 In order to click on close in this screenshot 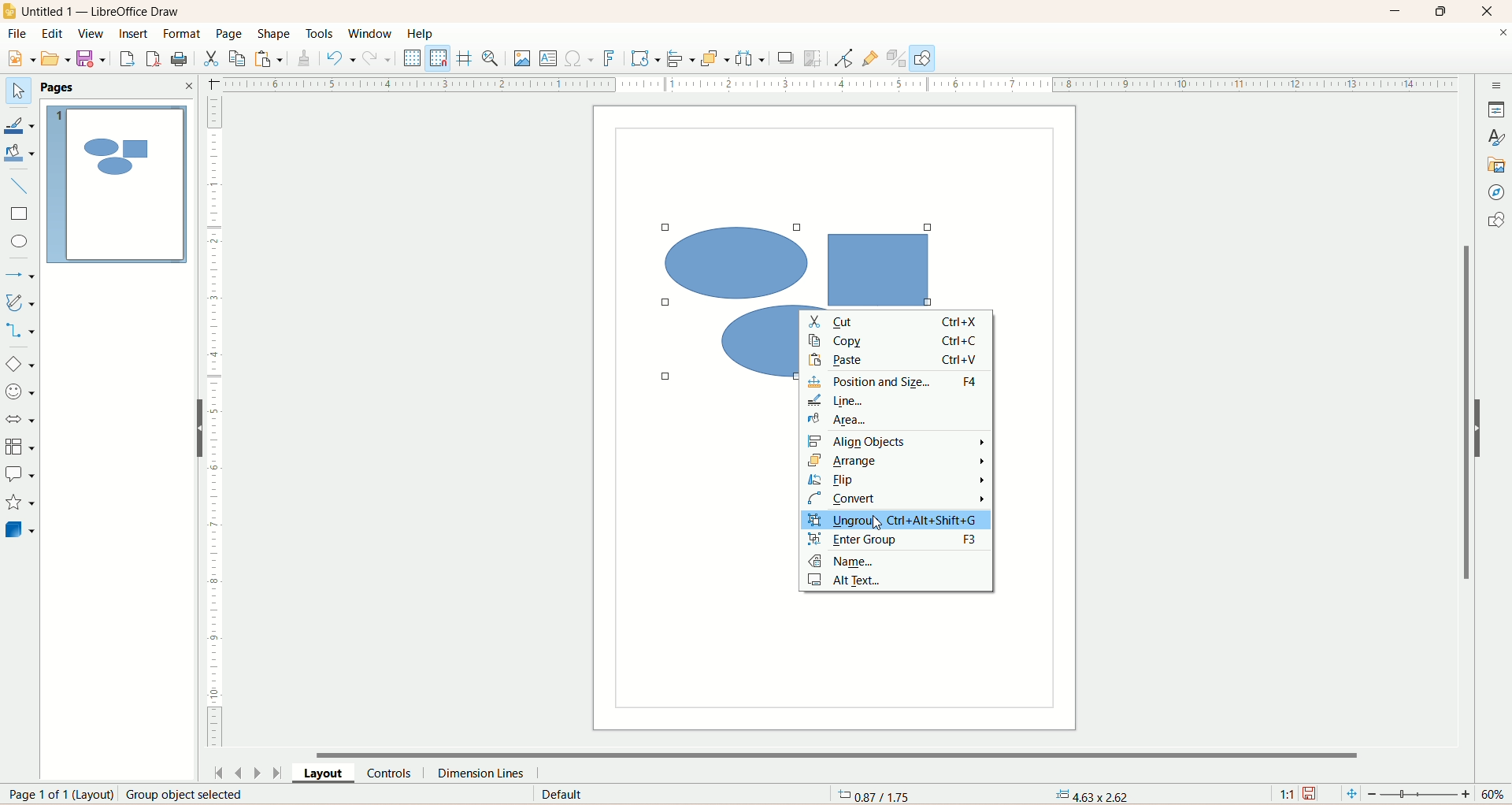, I will do `click(1499, 34)`.